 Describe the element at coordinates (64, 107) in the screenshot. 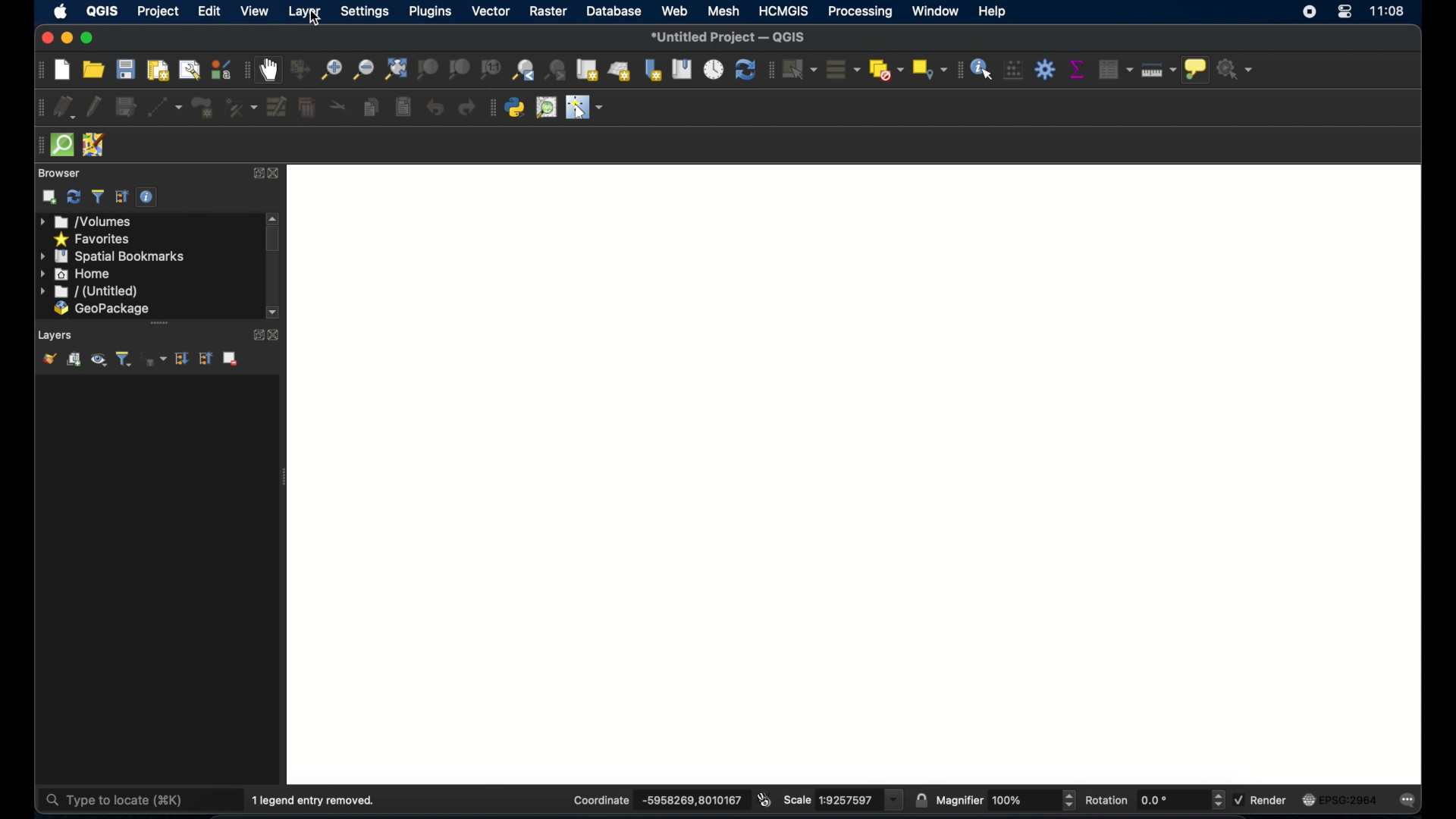

I see `current edits` at that location.